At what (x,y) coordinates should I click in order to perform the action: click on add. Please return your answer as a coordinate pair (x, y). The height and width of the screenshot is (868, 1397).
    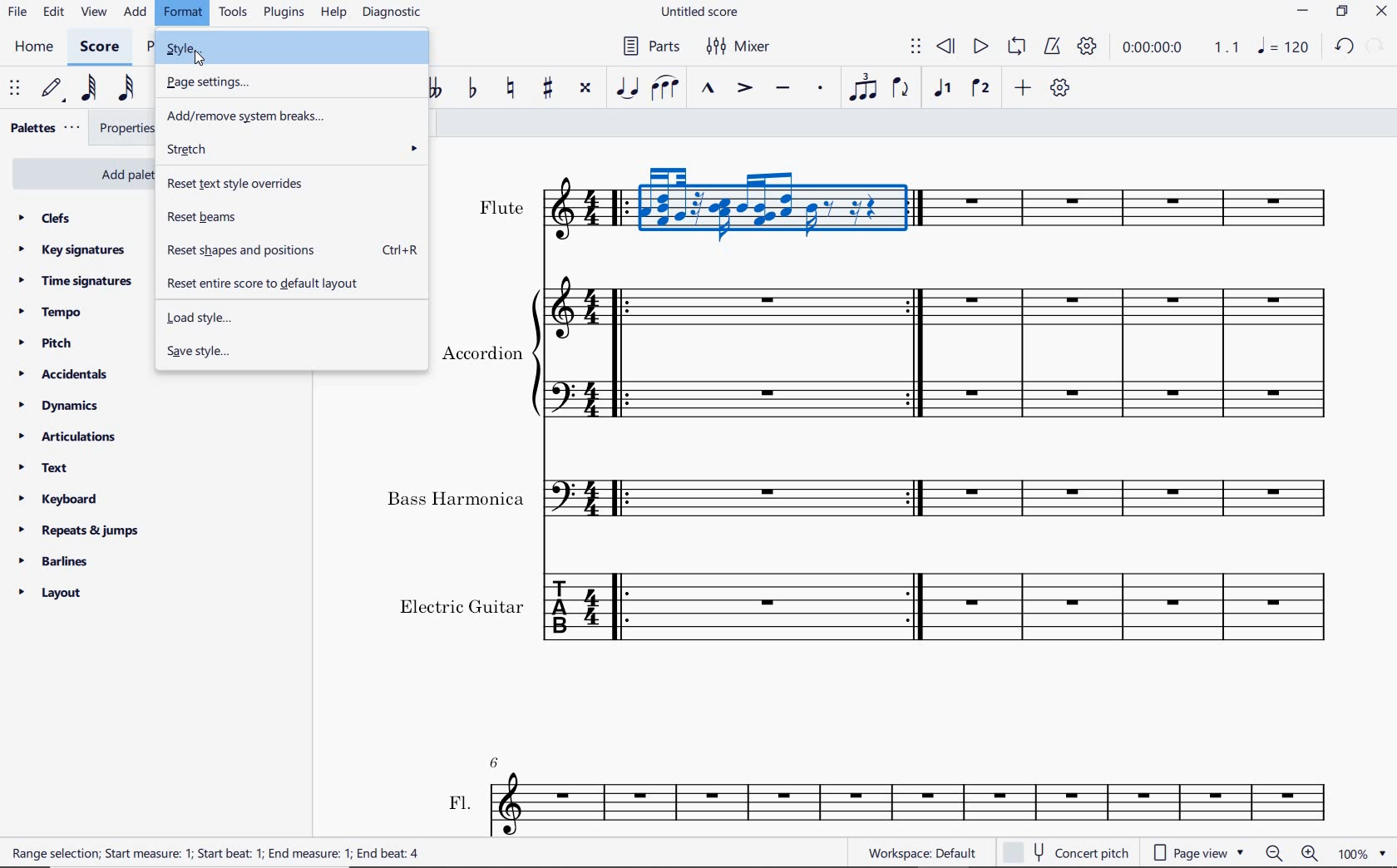
    Looking at the image, I should click on (1022, 87).